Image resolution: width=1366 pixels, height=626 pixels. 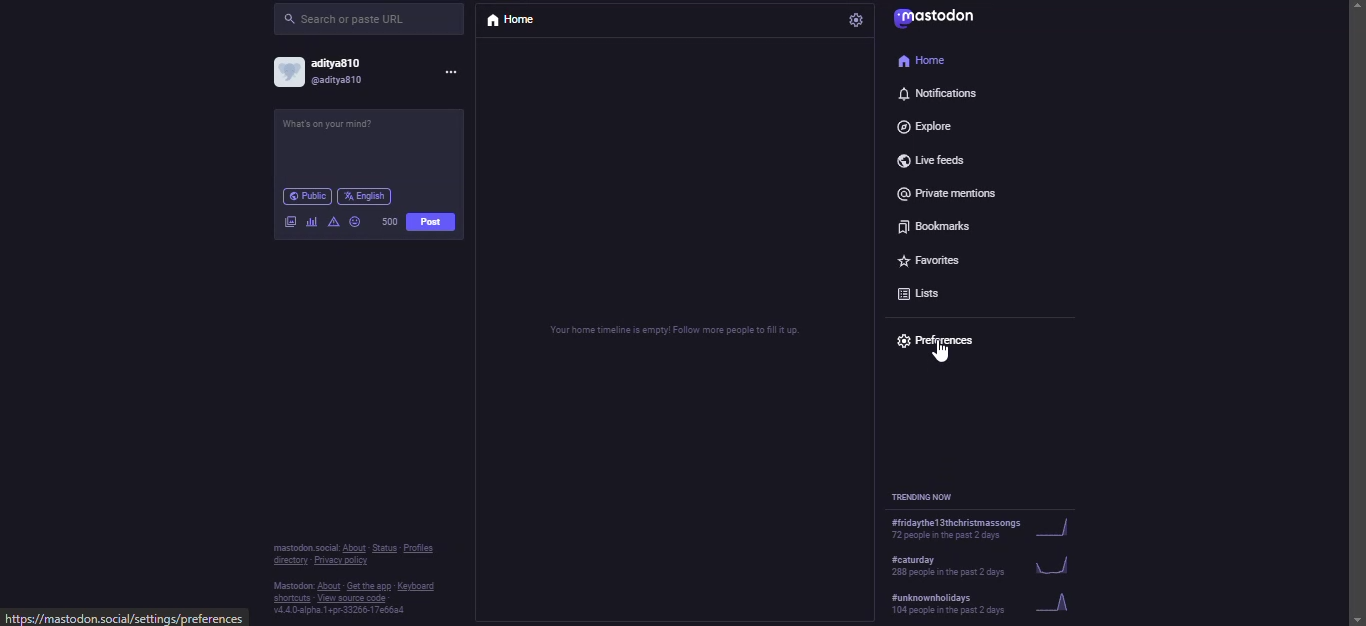 I want to click on mastodon.social, so click(x=306, y=548).